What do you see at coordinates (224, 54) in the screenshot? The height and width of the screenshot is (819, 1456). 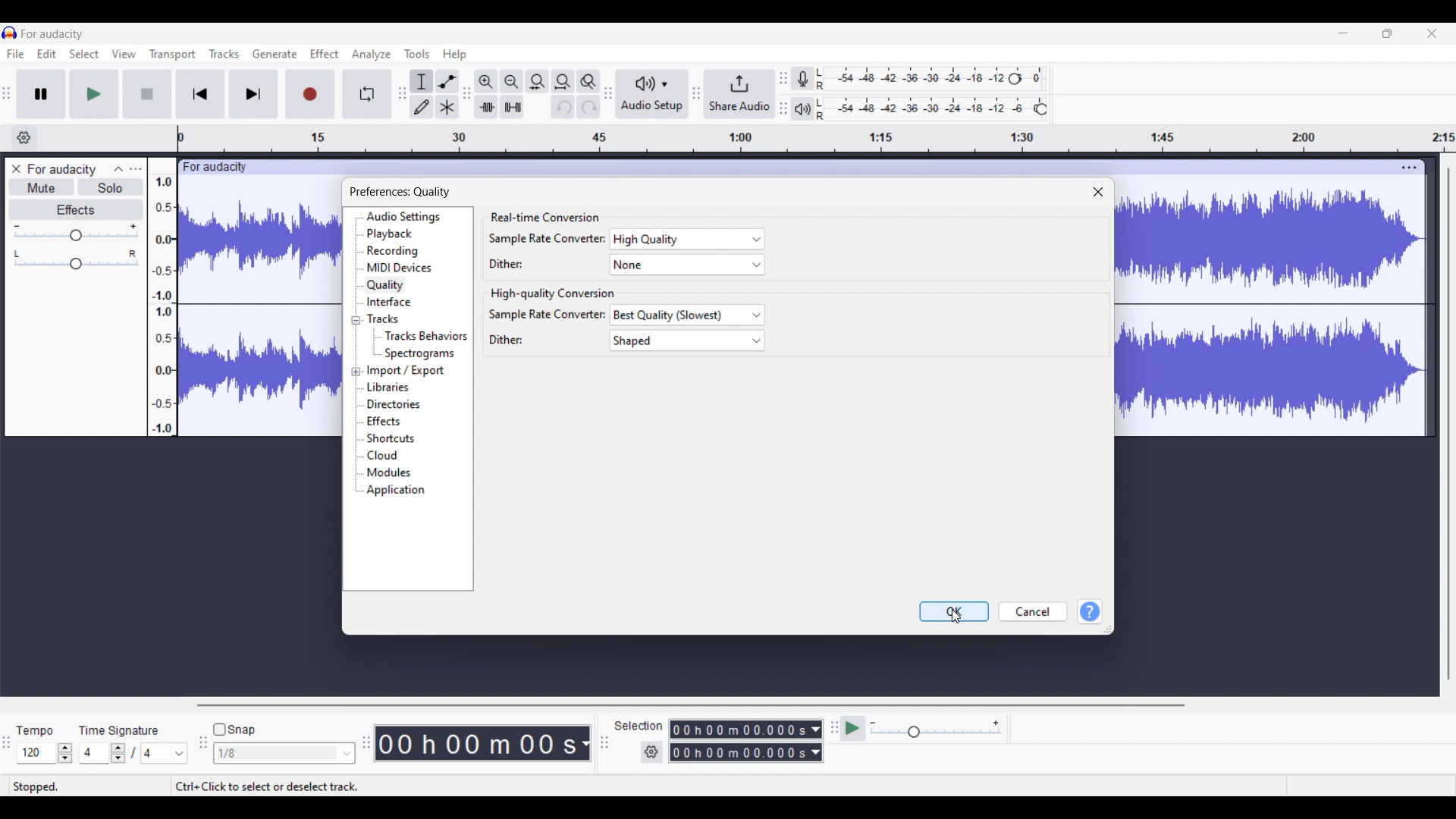 I see `Track menu ` at bounding box center [224, 54].